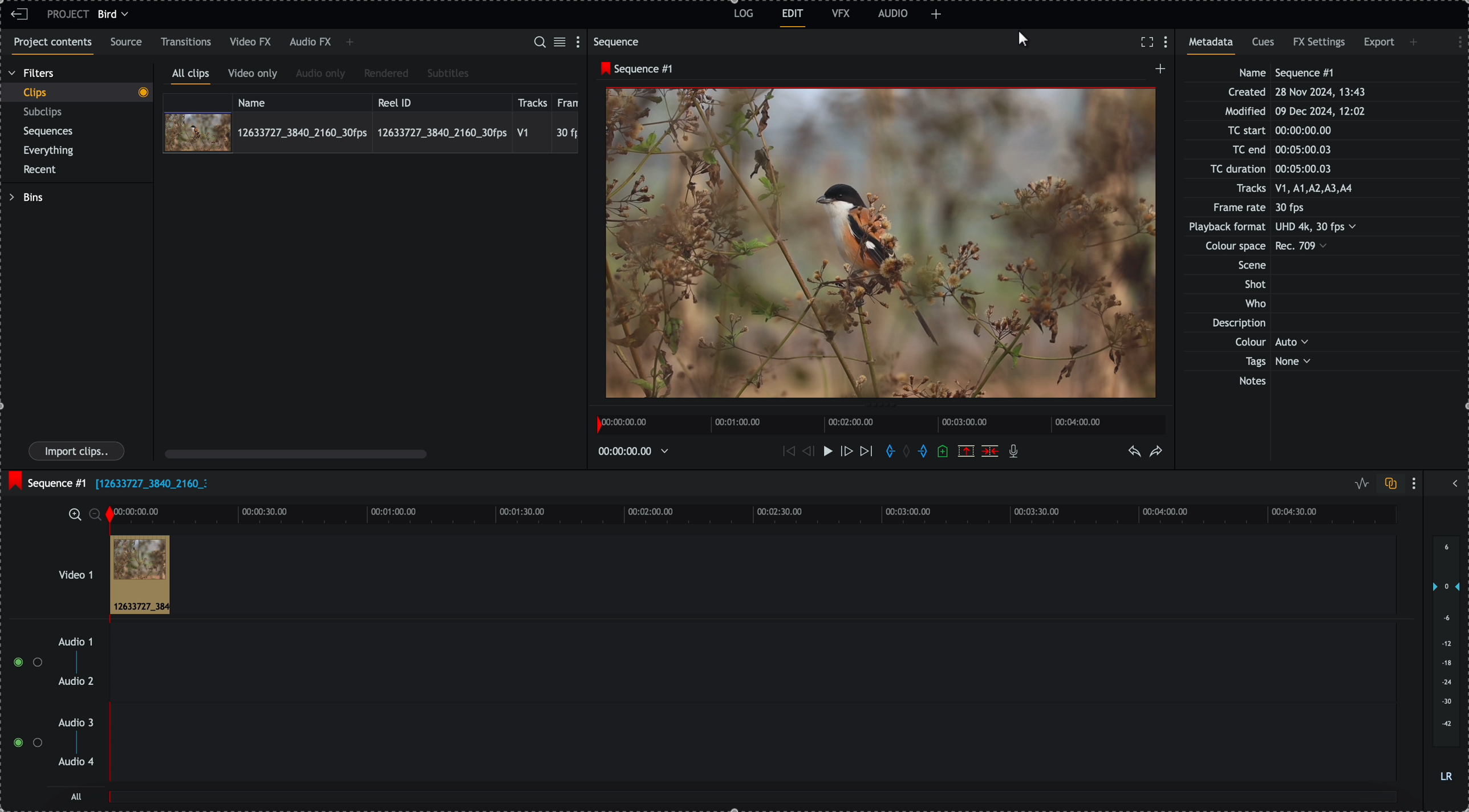 The image size is (1469, 812). Describe the element at coordinates (50, 46) in the screenshot. I see `project contents` at that location.